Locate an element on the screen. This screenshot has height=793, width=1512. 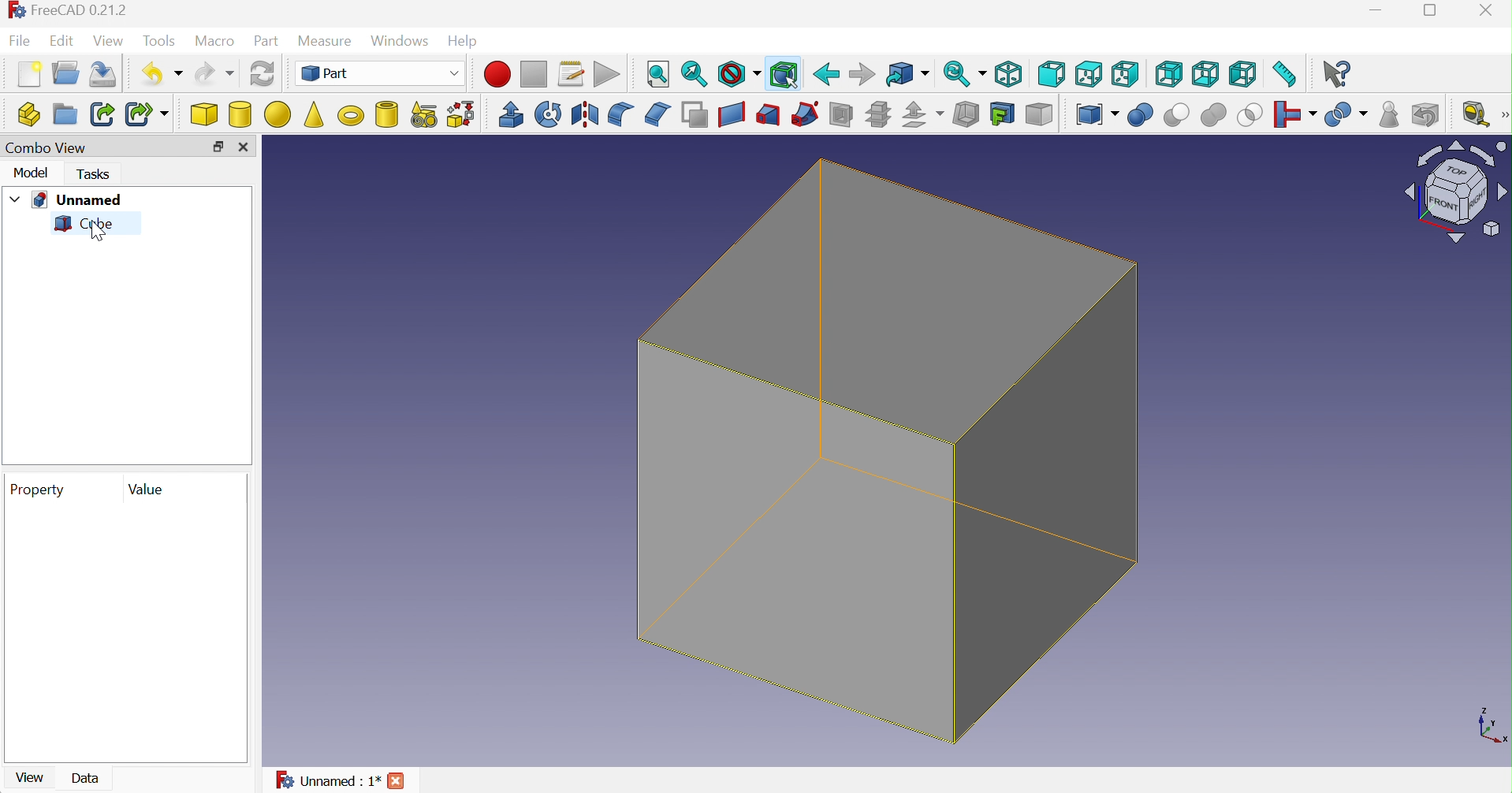
Back is located at coordinates (828, 73).